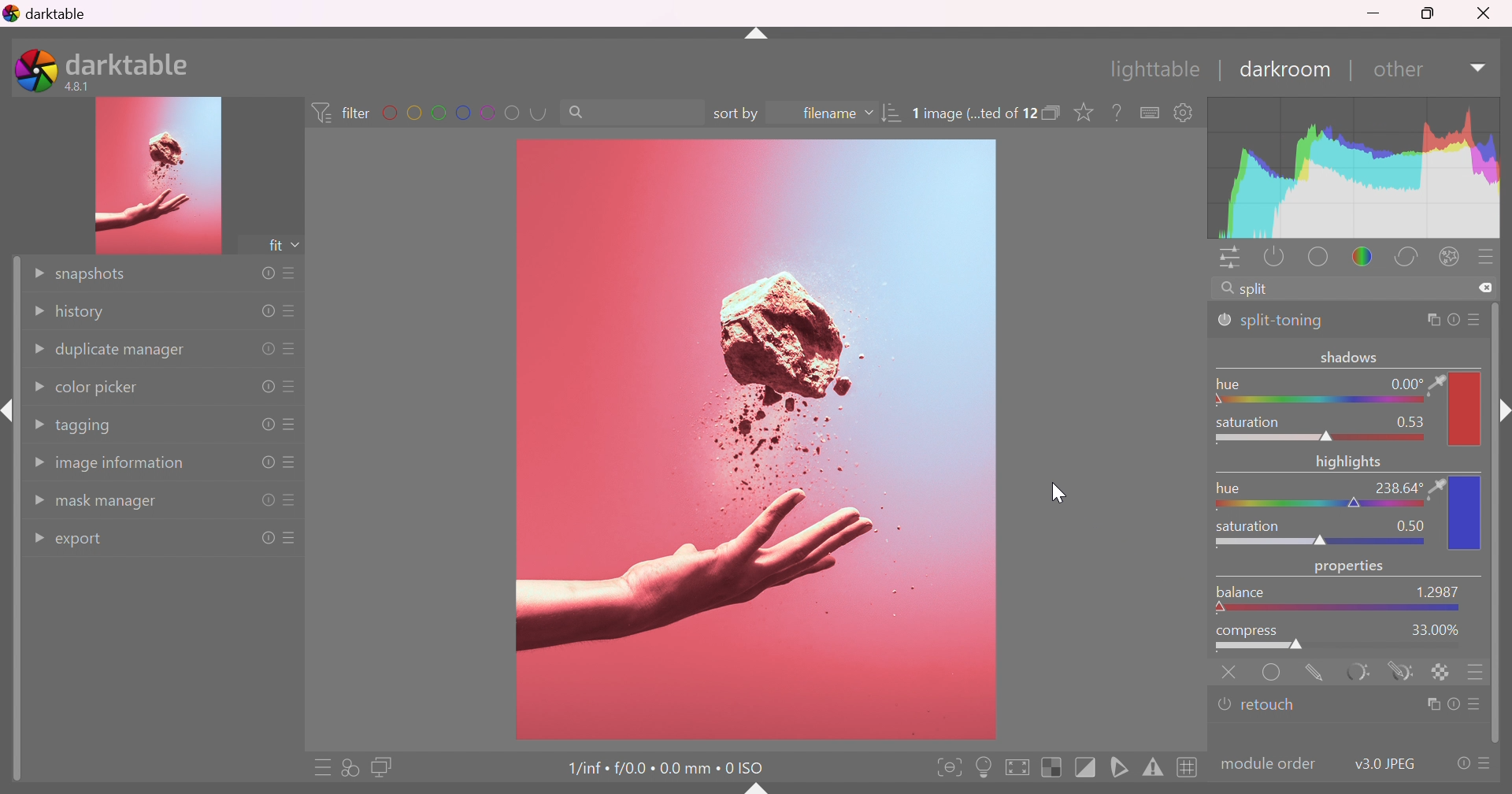  What do you see at coordinates (264, 274) in the screenshot?
I see `reset` at bounding box center [264, 274].